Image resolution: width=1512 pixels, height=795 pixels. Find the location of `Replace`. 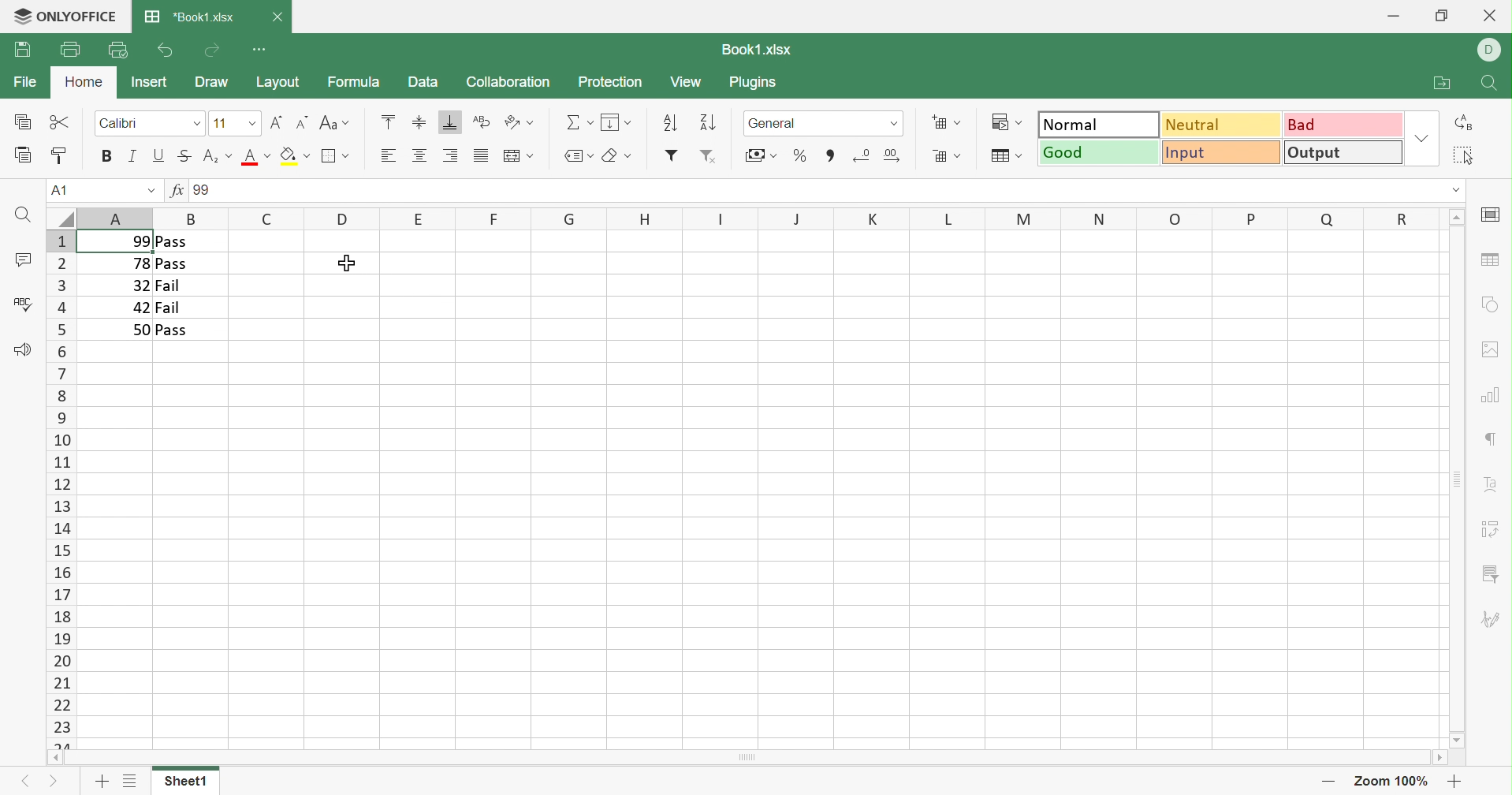

Replace is located at coordinates (1465, 123).